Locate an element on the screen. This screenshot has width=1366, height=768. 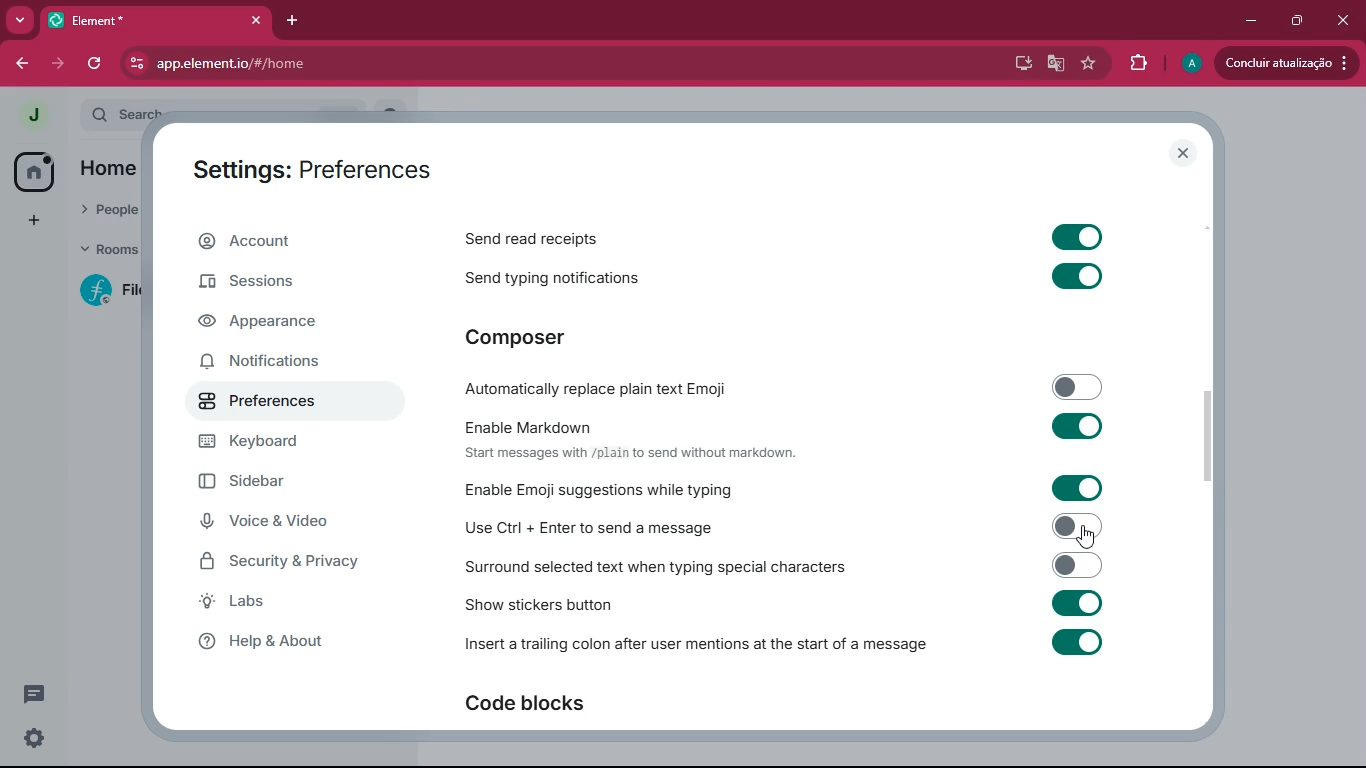
code blocks is located at coordinates (545, 705).